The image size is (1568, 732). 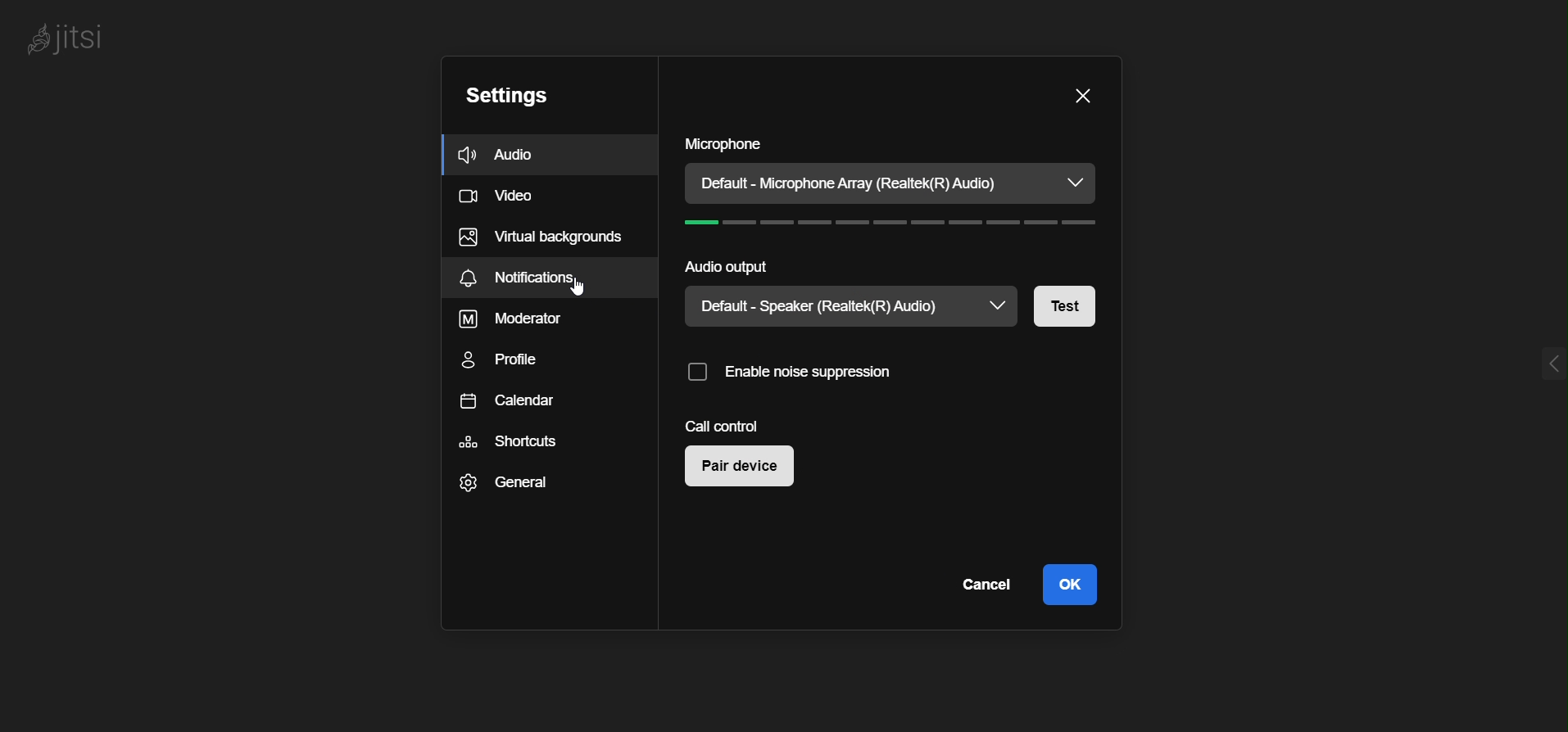 What do you see at coordinates (1539, 361) in the screenshot?
I see `expand` at bounding box center [1539, 361].